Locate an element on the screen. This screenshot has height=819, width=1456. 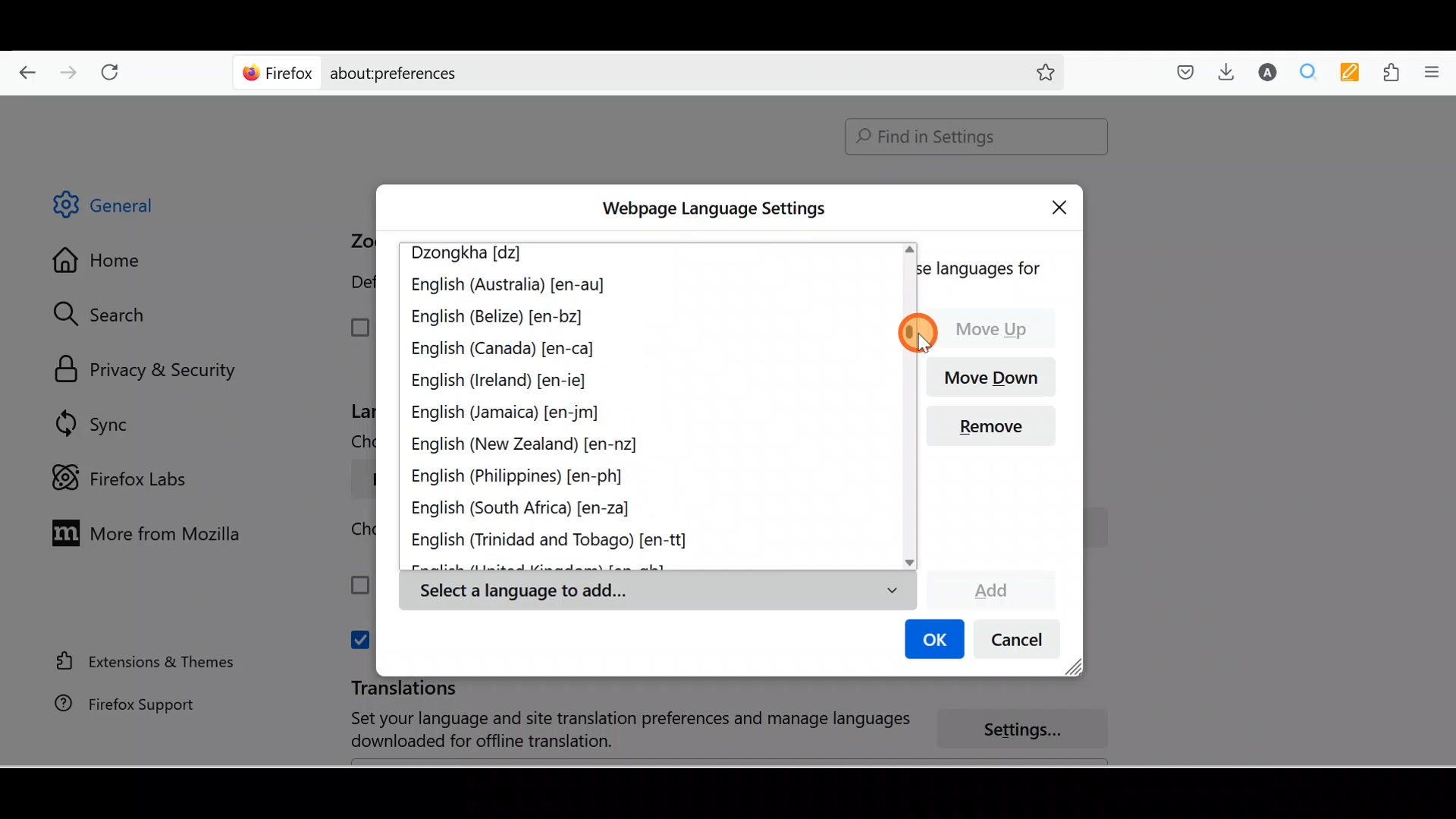
Firefox support is located at coordinates (115, 704).